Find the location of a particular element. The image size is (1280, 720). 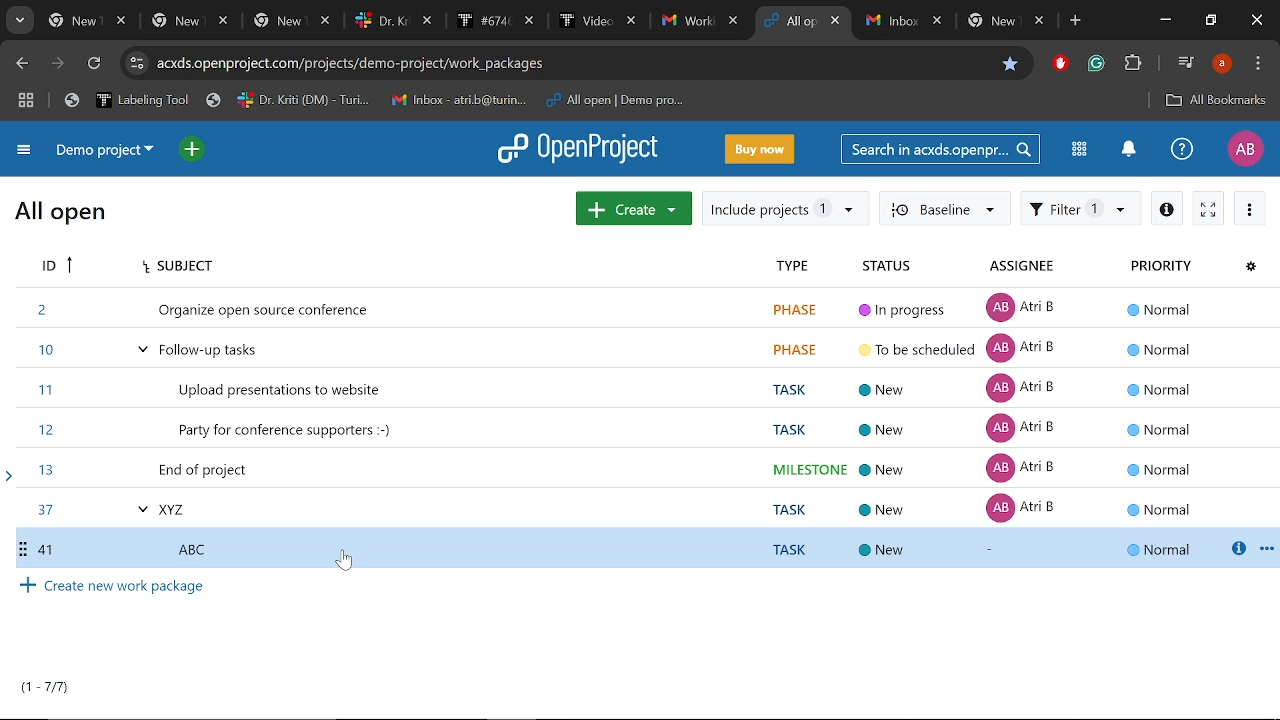

Create new work package is located at coordinates (115, 589).